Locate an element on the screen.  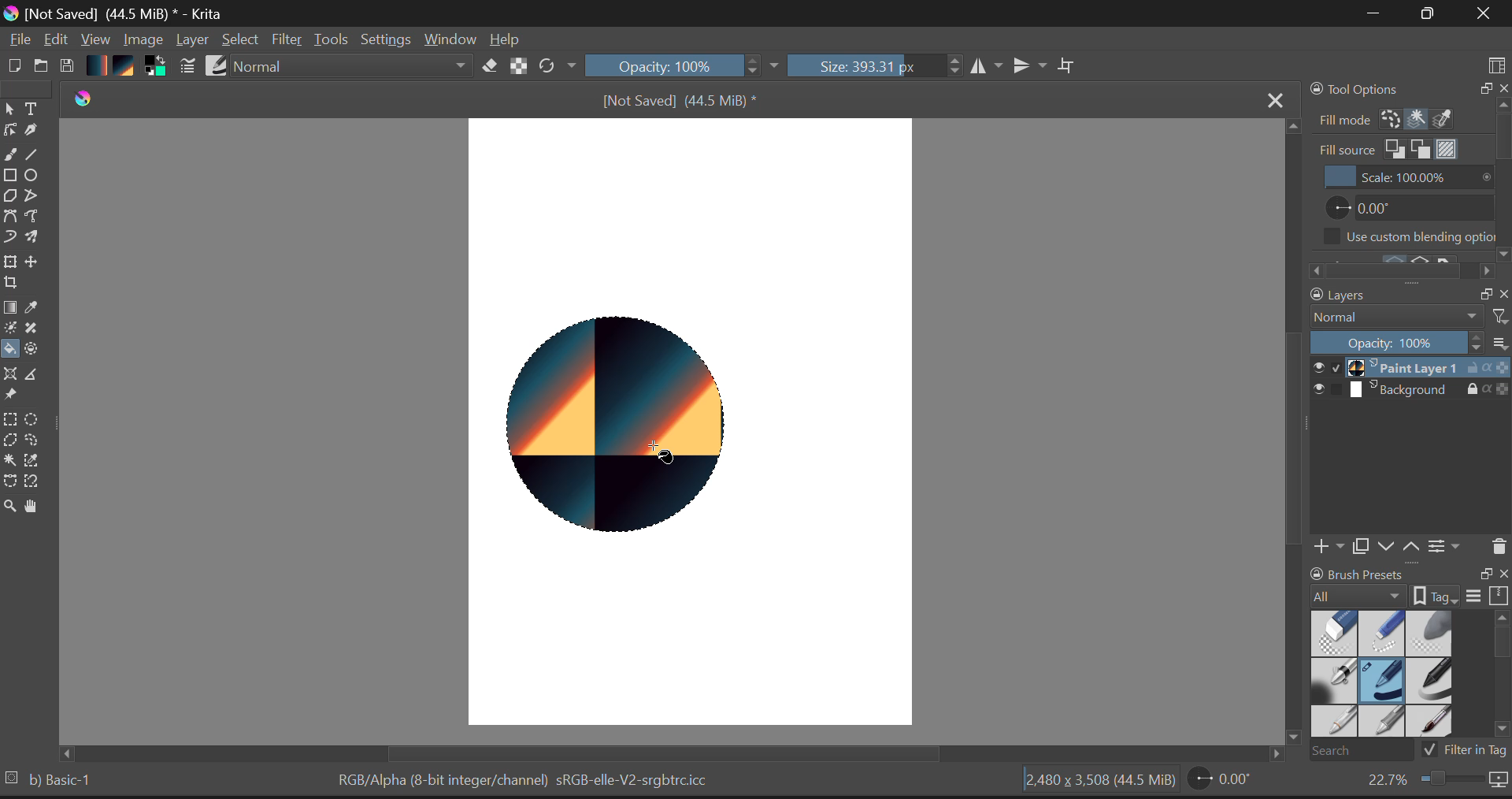
File is located at coordinates (19, 42).